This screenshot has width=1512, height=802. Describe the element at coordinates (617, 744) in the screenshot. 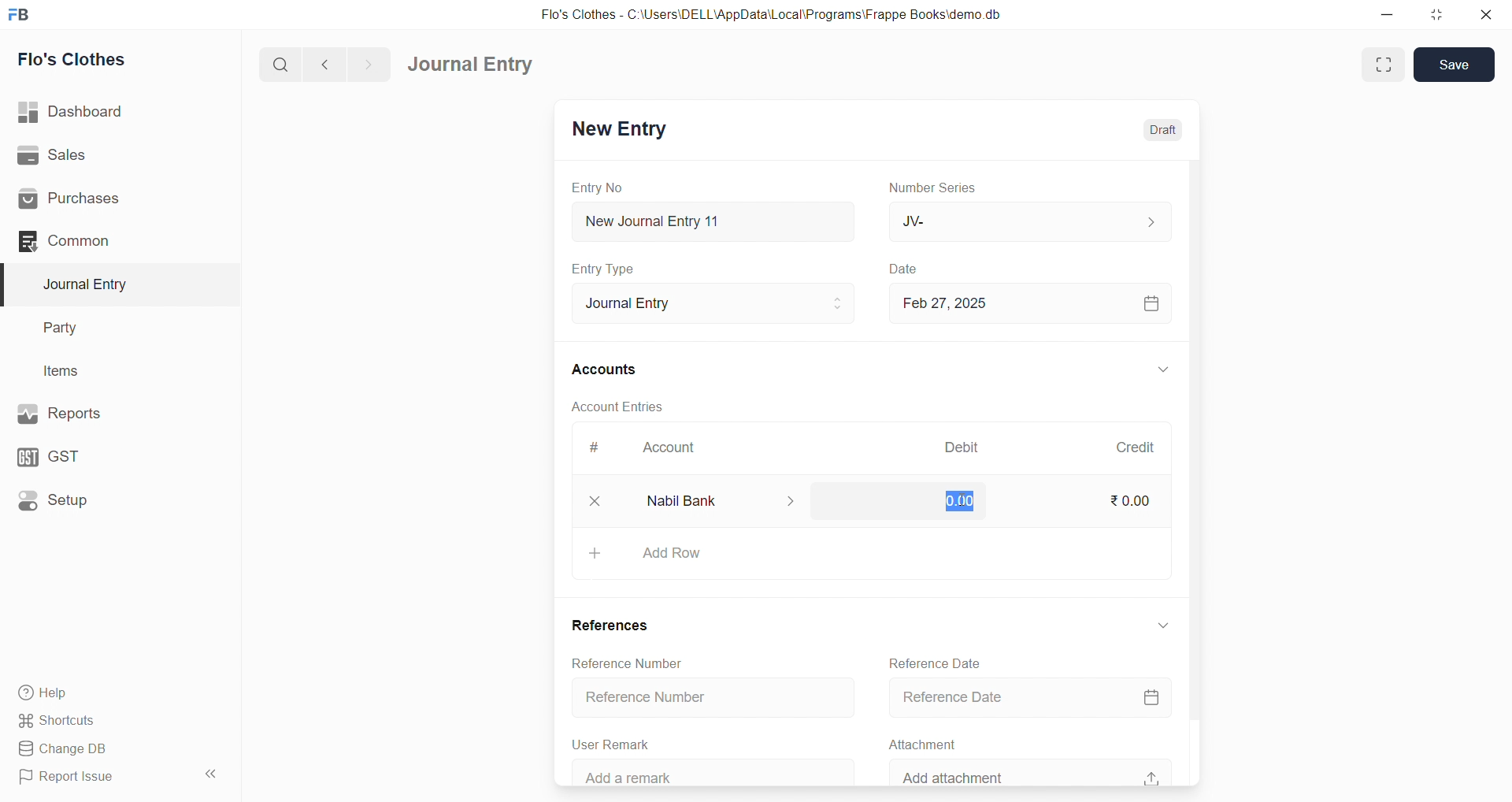

I see `User Remark` at that location.